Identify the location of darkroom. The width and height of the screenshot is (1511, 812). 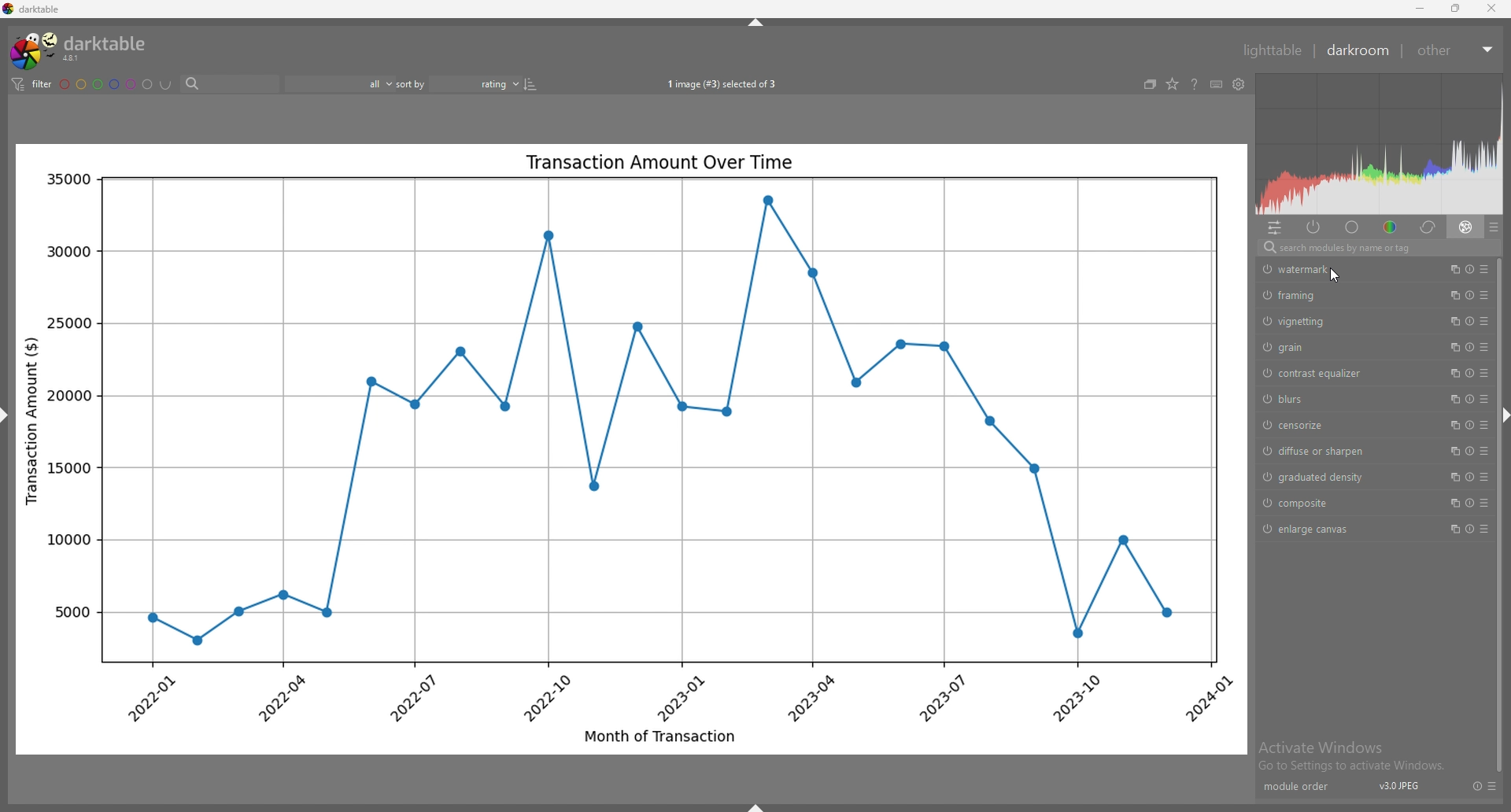
(1358, 50).